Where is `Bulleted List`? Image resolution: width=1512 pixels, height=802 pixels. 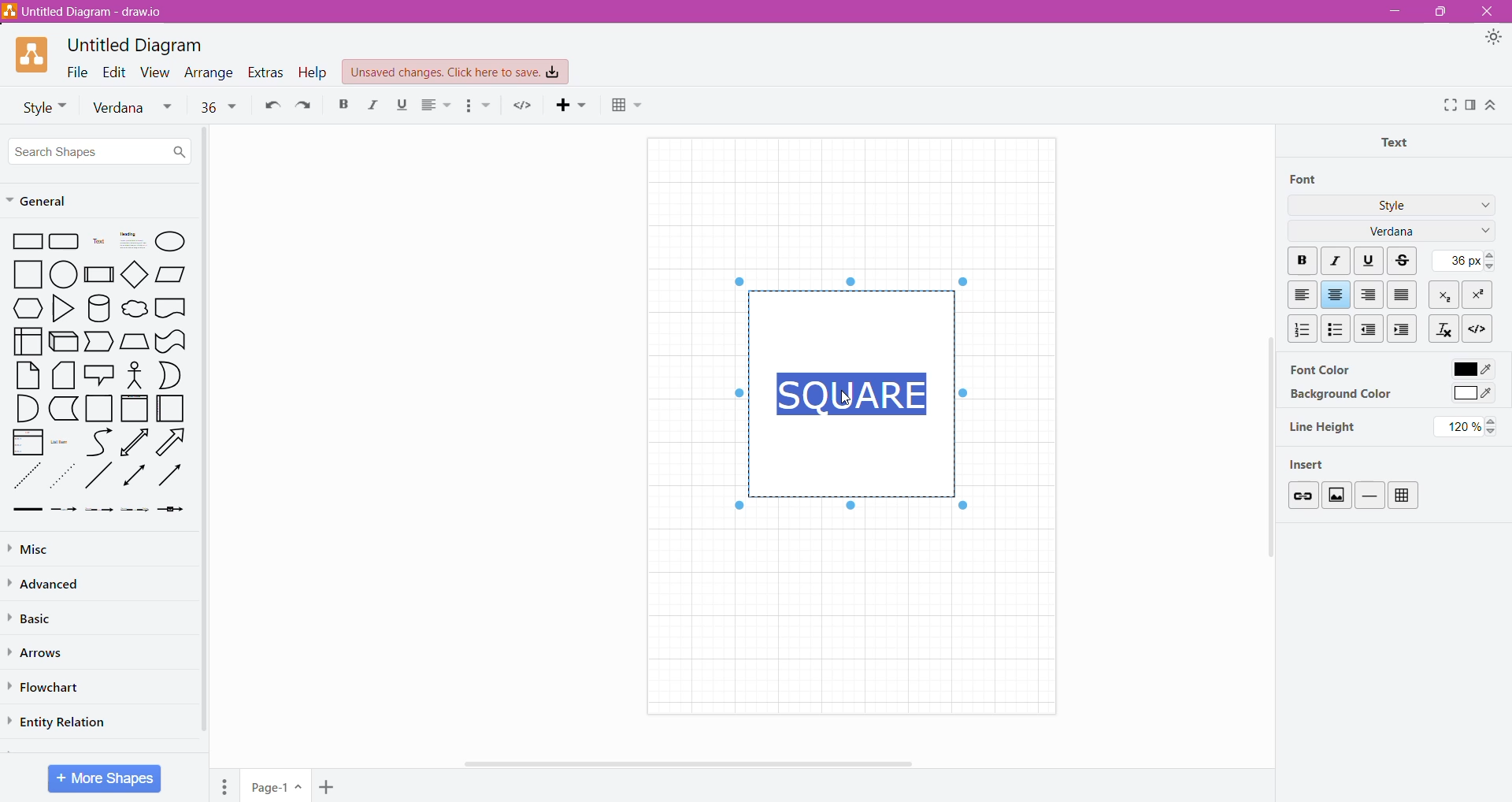
Bulleted List is located at coordinates (1335, 328).